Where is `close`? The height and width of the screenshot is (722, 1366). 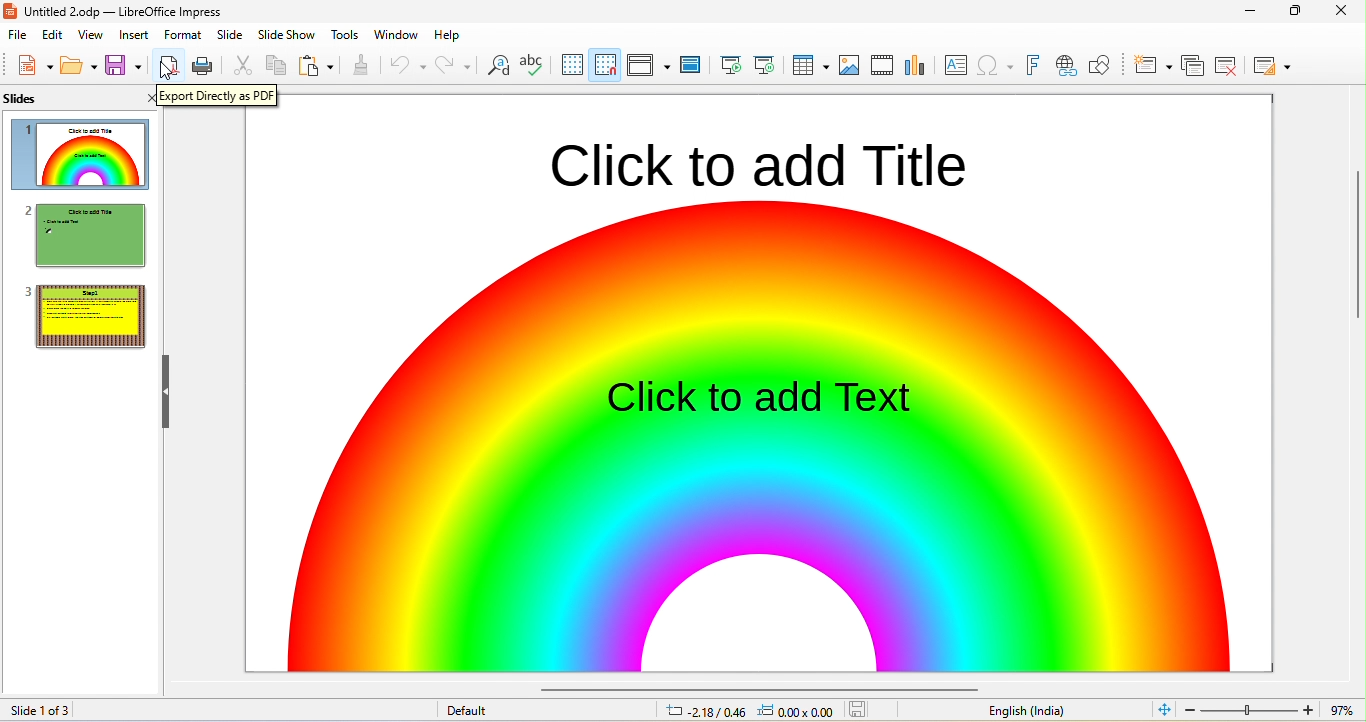 close is located at coordinates (147, 99).